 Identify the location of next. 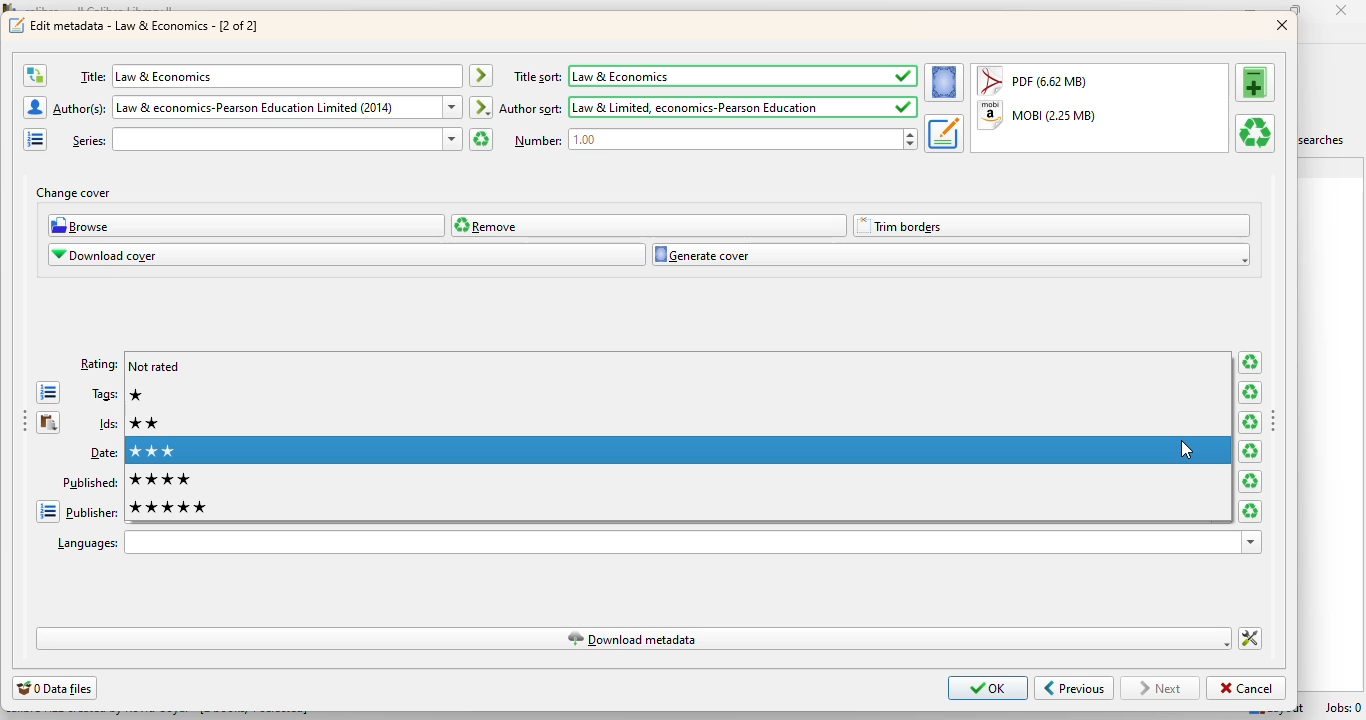
(1163, 688).